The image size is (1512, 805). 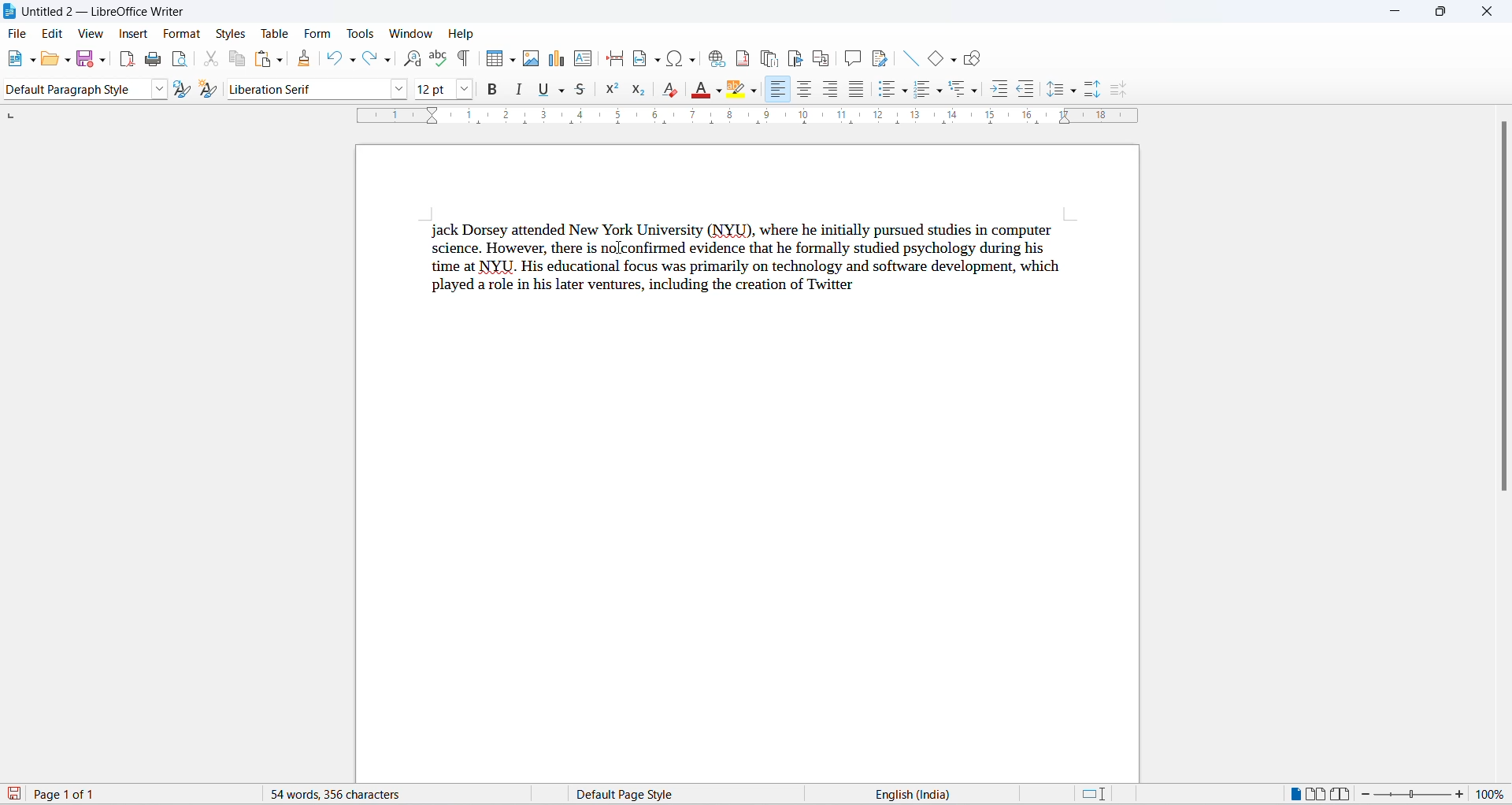 What do you see at coordinates (747, 264) in the screenshot?
I see `jack Dorsey attended New York University (NYU), where he initially pursued studies in computer
science. However, there is nolconfirmed evidence that he formally studied psychology during his
time at NYU. His educational focus was primarily on technology and software development, which
played a role in his later ventures, including the creation of Twitter` at bounding box center [747, 264].